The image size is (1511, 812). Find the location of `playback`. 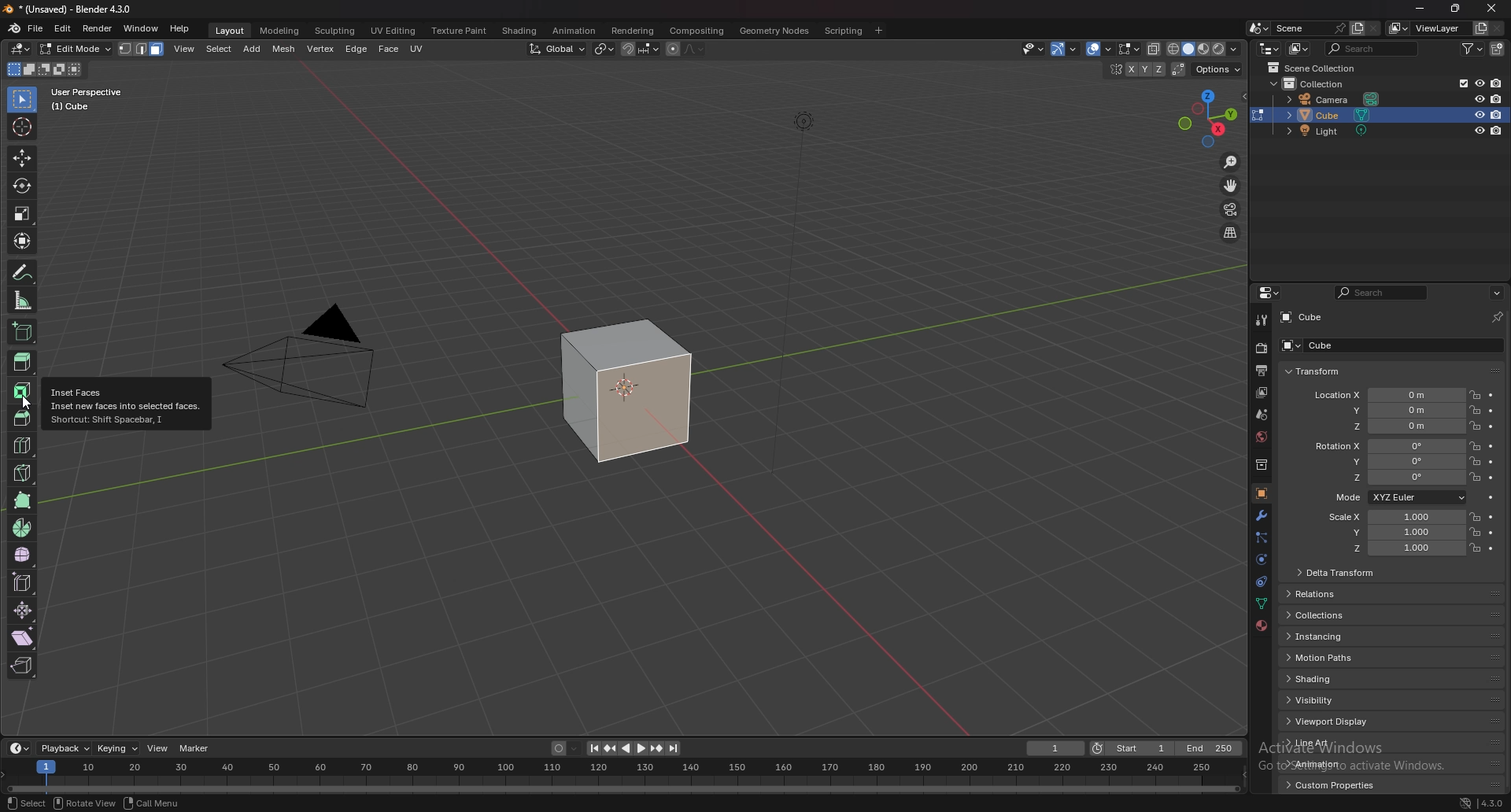

playback is located at coordinates (66, 749).